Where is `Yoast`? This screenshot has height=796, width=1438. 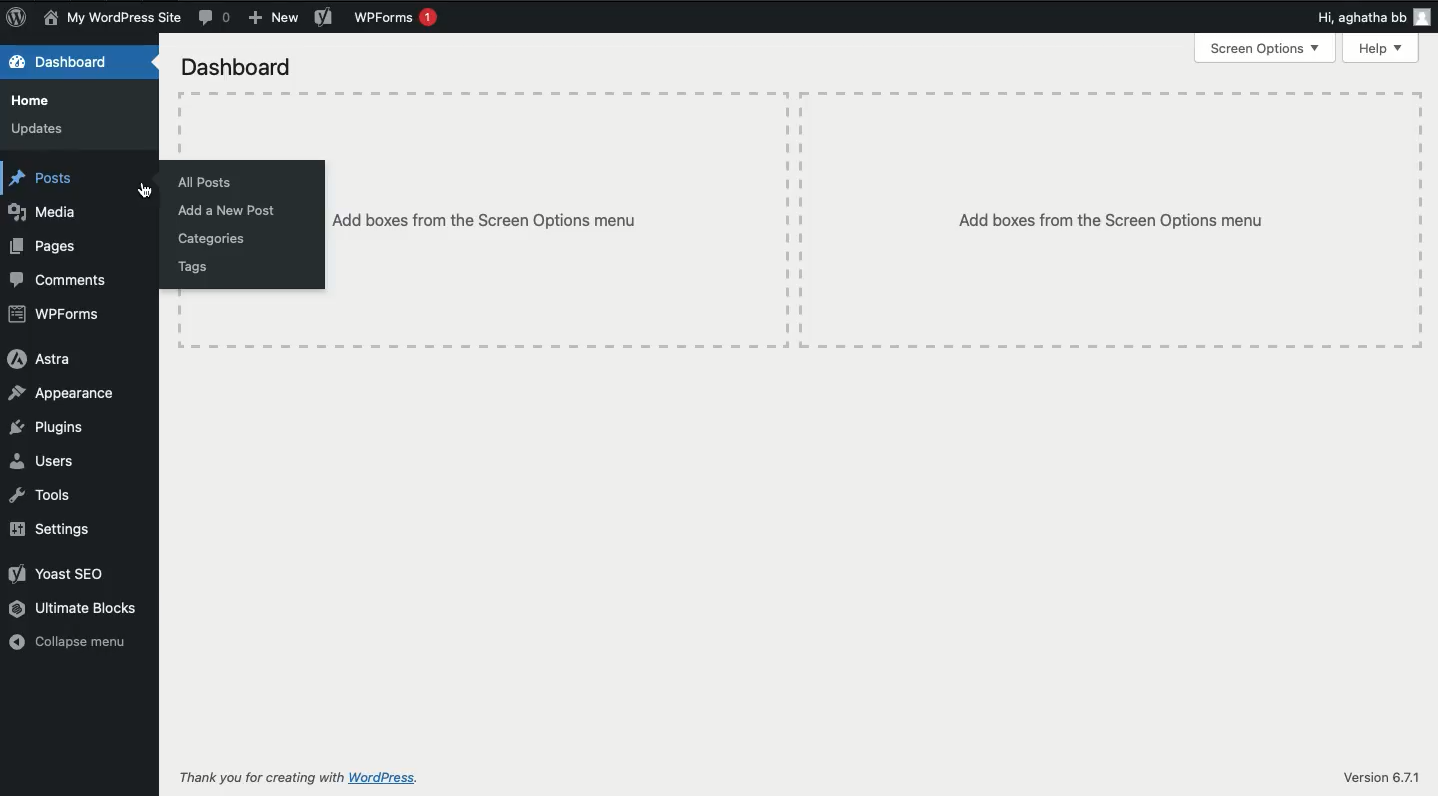
Yoast is located at coordinates (62, 575).